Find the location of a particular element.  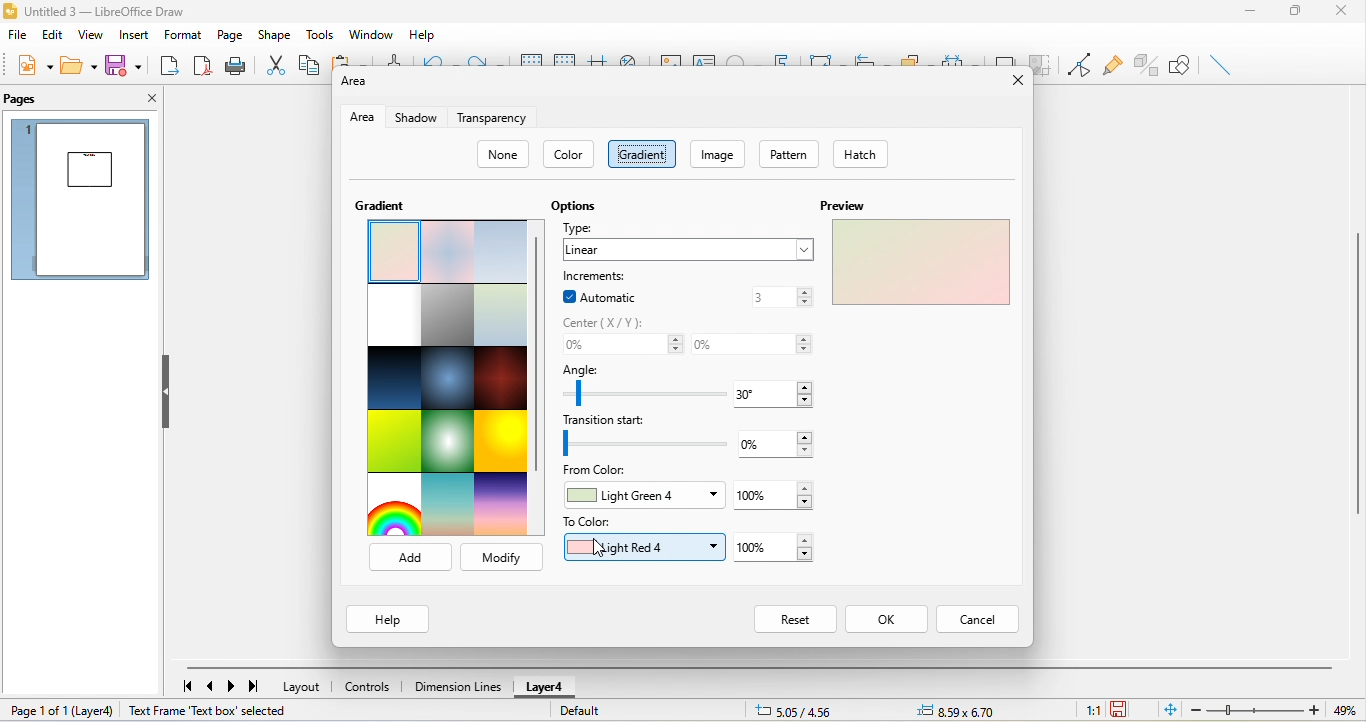

transformation is located at coordinates (821, 56).